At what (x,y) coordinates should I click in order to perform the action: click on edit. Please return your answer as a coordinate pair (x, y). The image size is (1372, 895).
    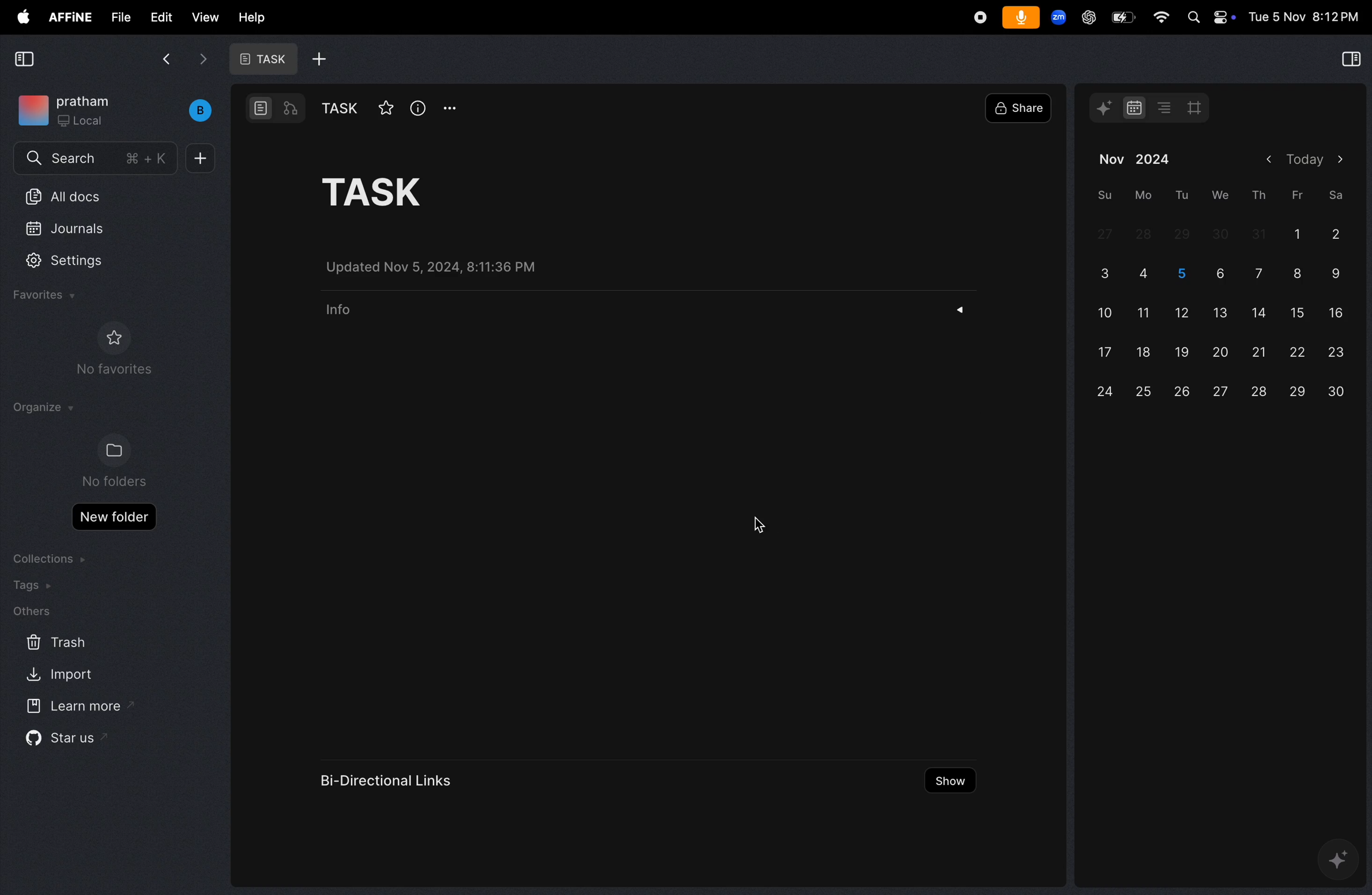
    Looking at the image, I should click on (156, 17).